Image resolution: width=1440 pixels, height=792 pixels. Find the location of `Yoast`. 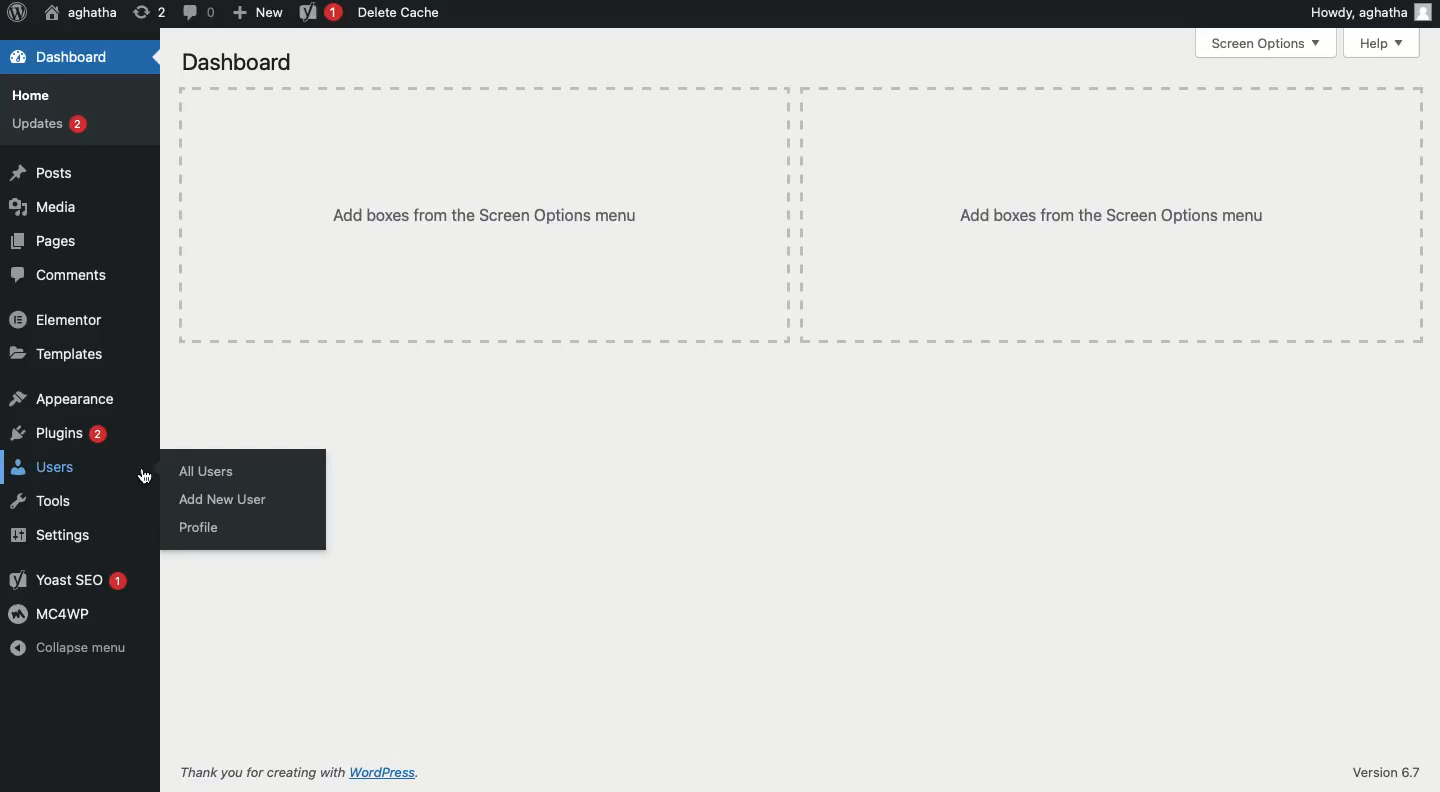

Yoast is located at coordinates (67, 582).